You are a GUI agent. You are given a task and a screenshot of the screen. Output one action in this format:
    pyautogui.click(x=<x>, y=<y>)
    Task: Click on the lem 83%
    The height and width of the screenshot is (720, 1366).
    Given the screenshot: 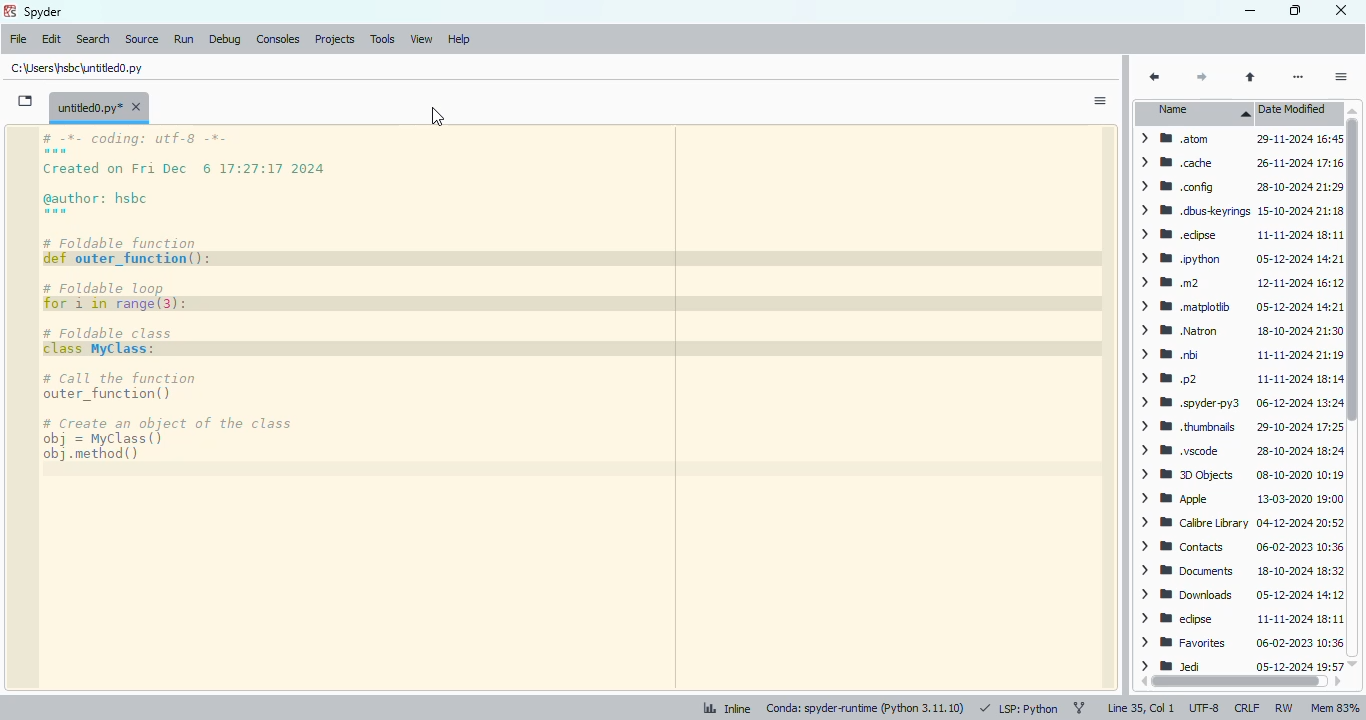 What is the action you would take?
    pyautogui.click(x=1337, y=707)
    